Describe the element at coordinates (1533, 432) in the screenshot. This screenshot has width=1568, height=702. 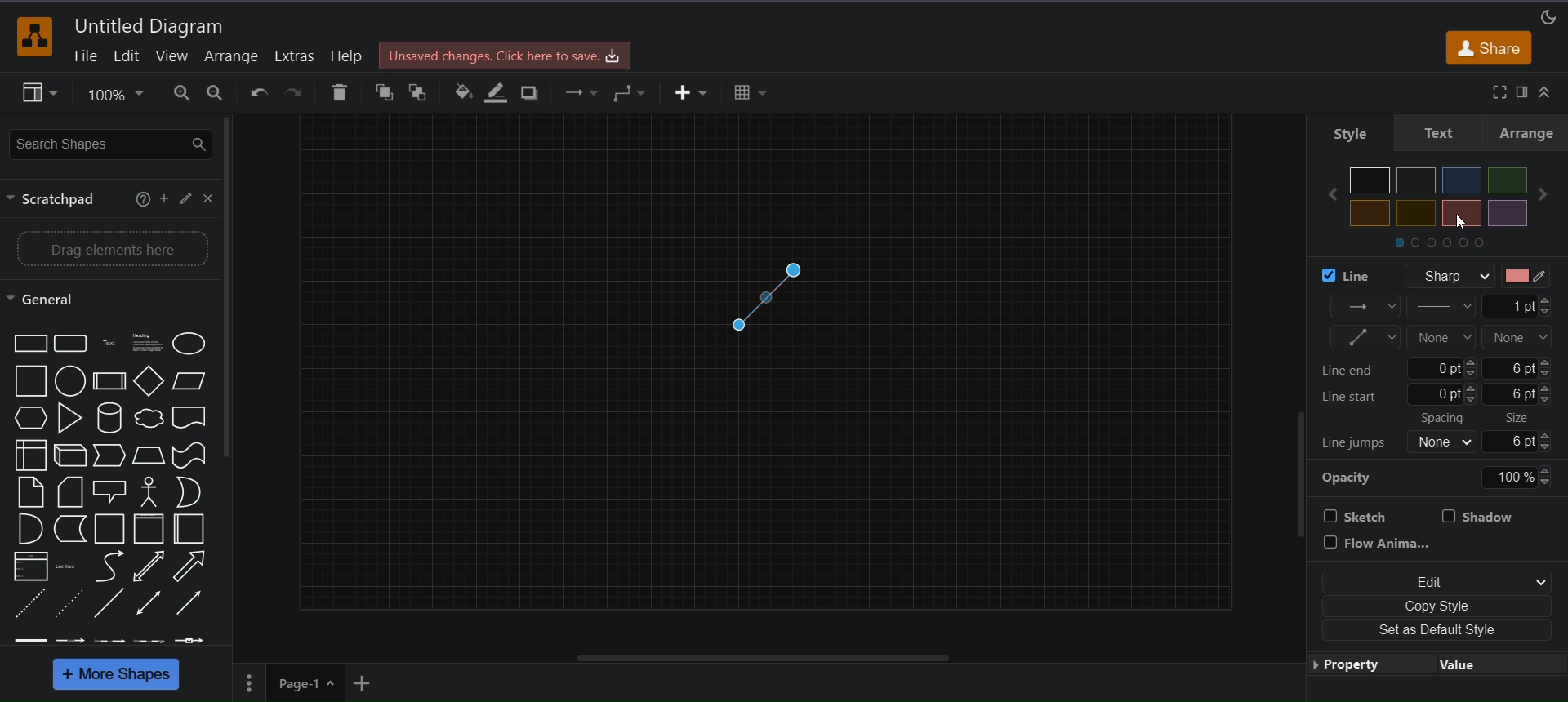
I see `size` at that location.